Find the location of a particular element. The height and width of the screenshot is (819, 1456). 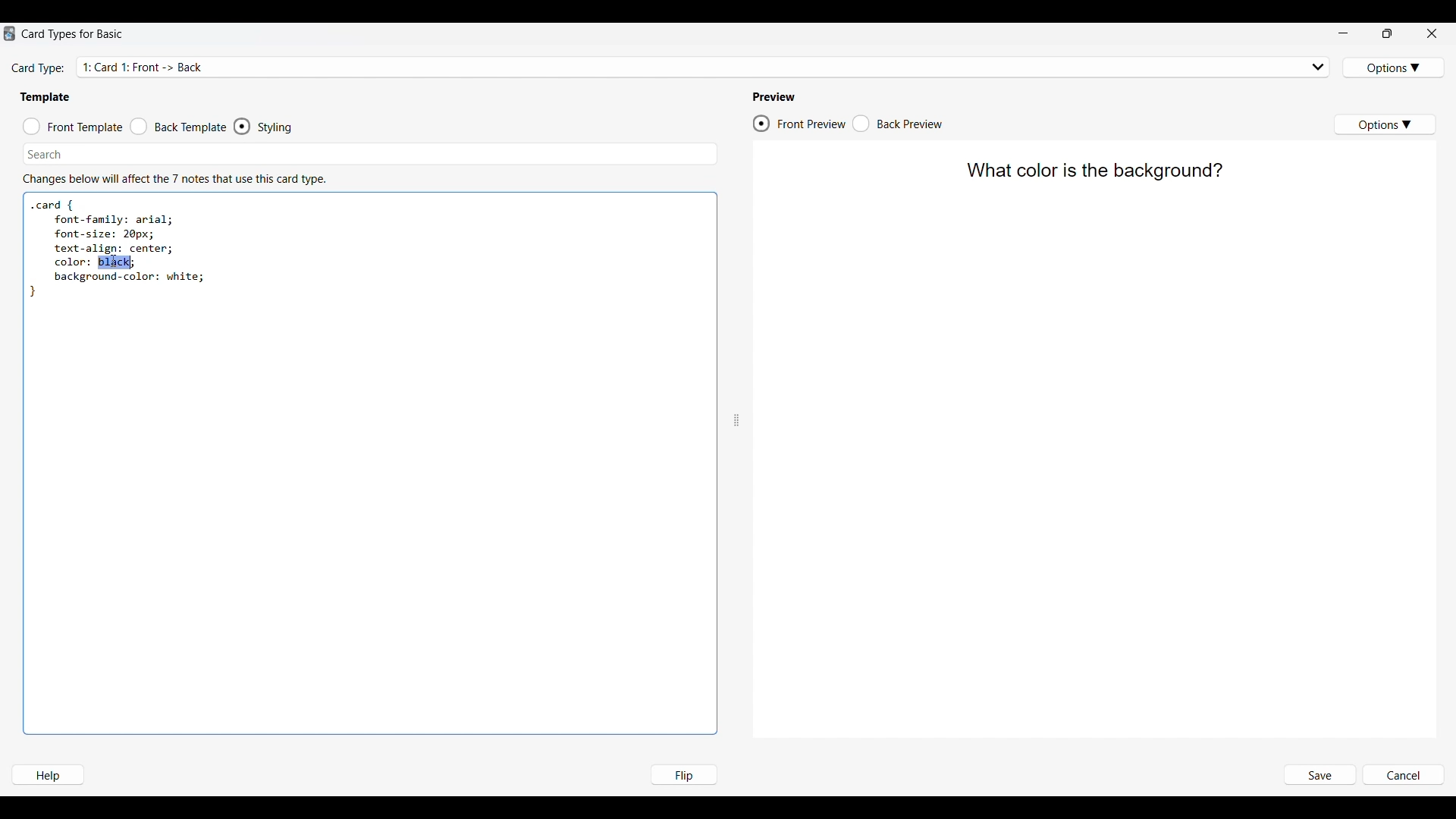

Close interface is located at coordinates (1432, 33).